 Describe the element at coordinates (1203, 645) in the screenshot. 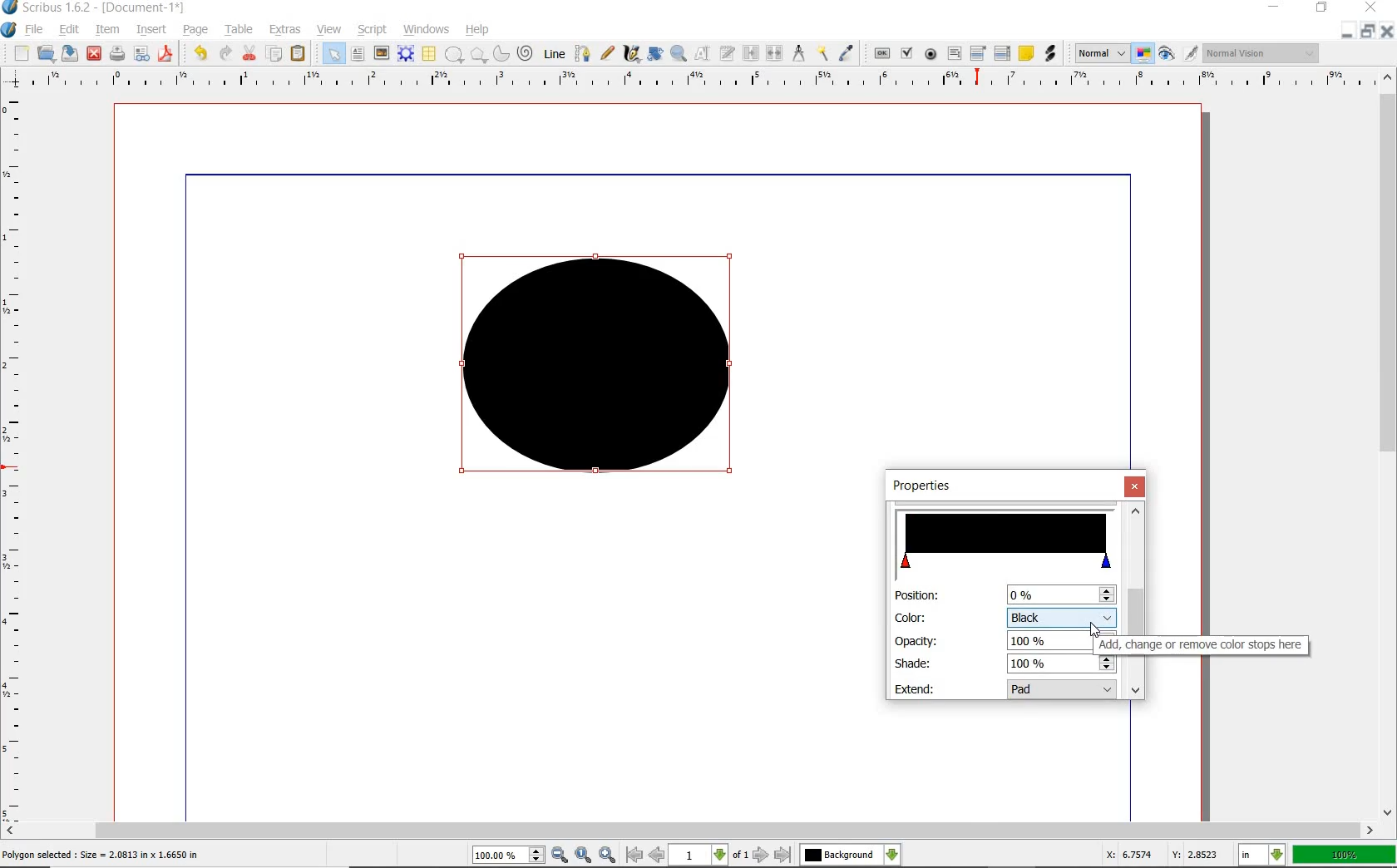

I see `add, change, or remove color stops here` at that location.